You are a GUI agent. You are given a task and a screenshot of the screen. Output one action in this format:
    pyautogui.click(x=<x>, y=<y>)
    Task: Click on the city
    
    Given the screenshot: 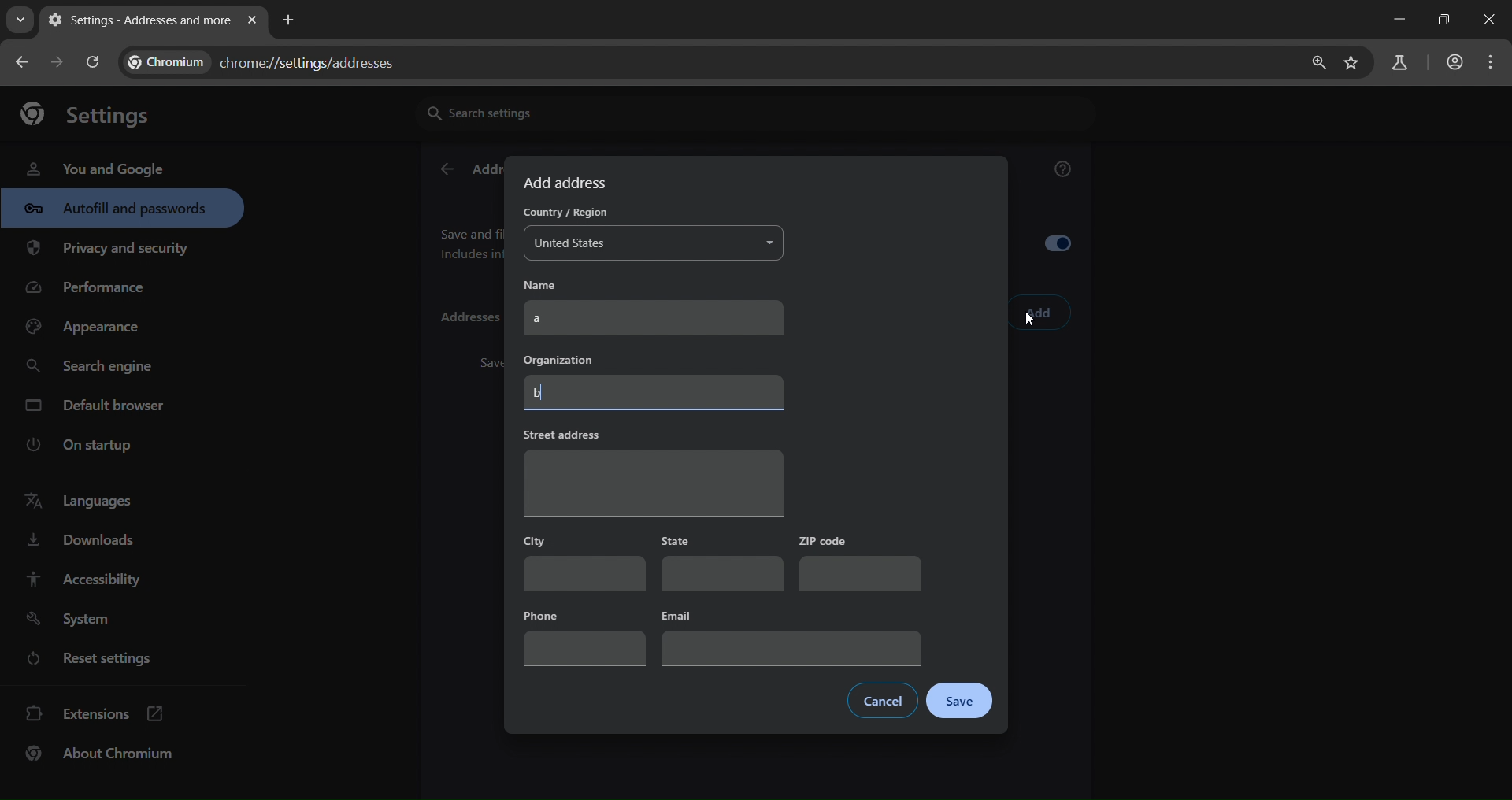 What is the action you would take?
    pyautogui.click(x=585, y=561)
    